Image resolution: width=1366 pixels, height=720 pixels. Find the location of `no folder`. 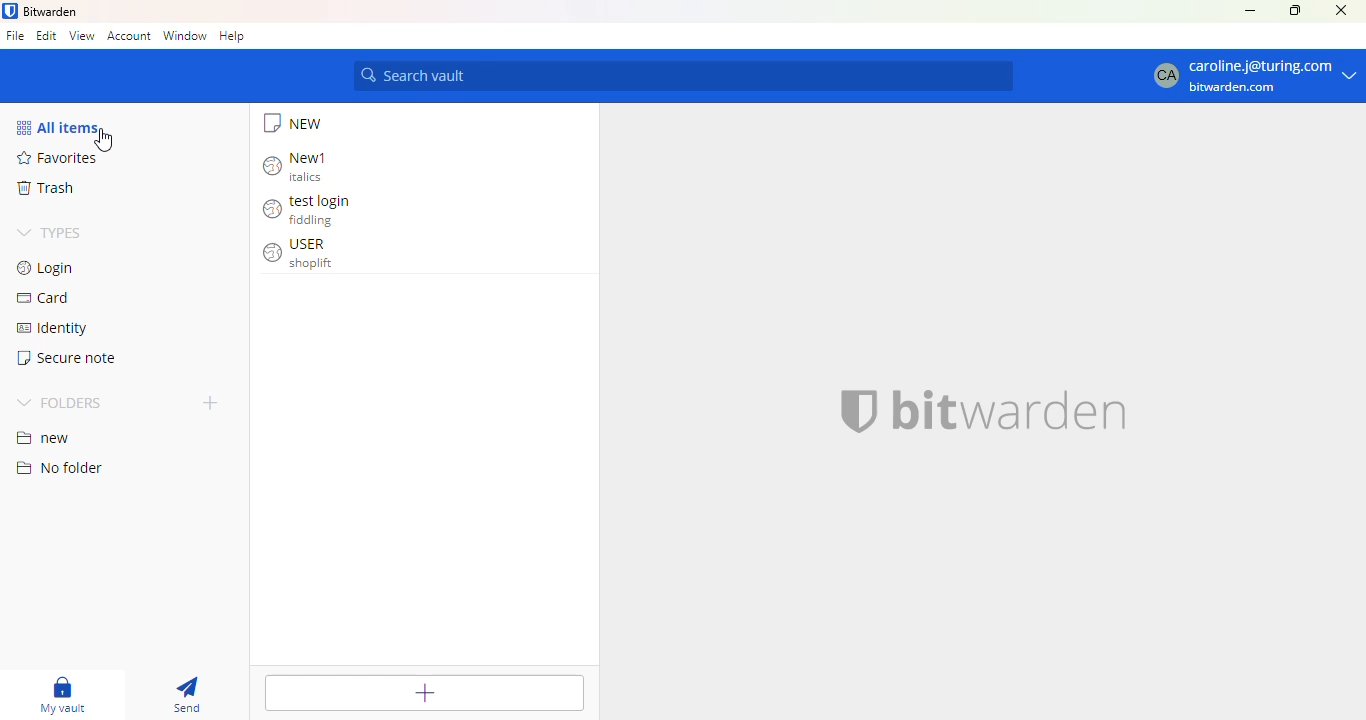

no folder is located at coordinates (60, 467).